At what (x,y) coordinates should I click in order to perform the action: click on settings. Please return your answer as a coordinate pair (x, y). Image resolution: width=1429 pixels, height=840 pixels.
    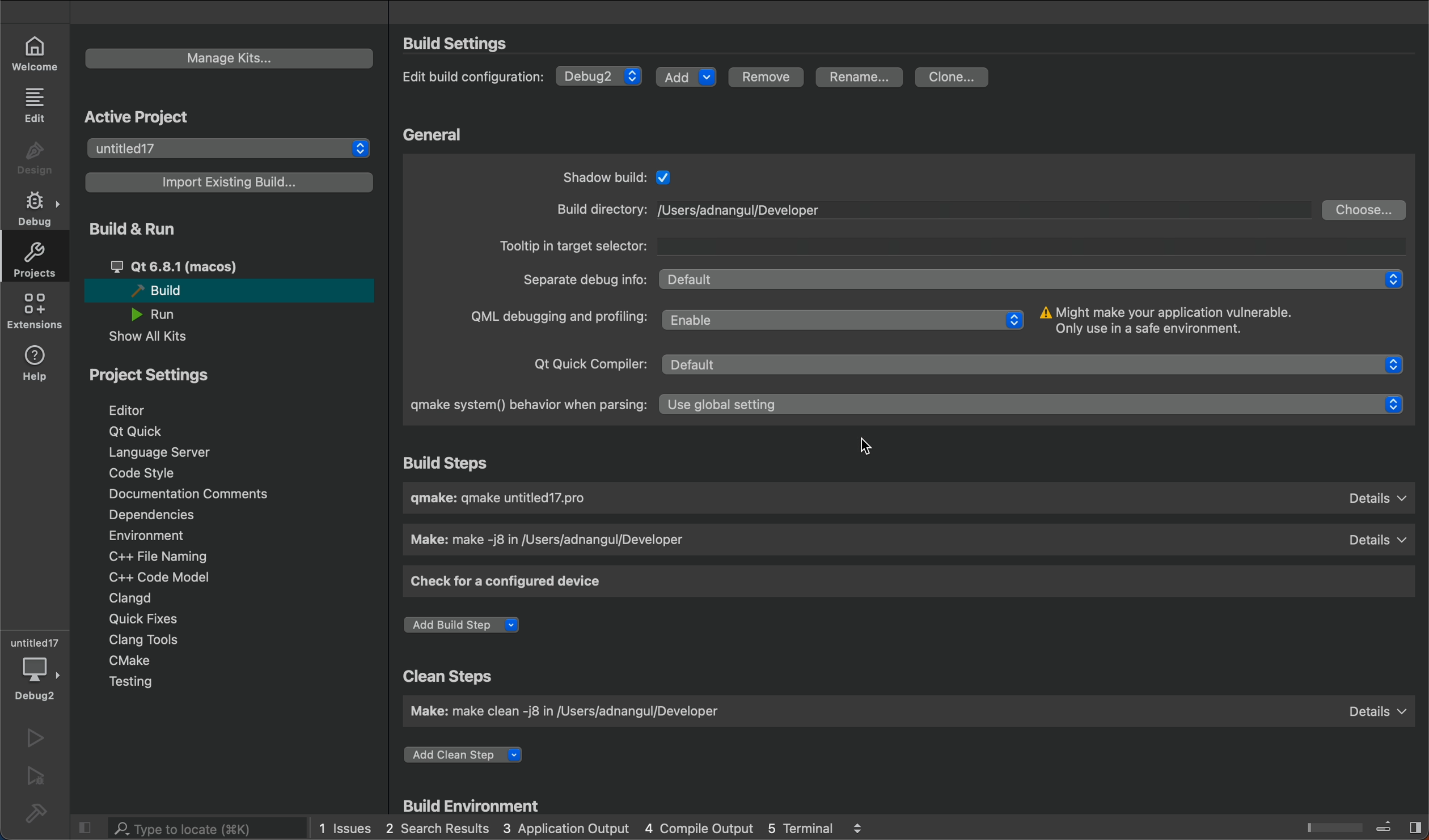
    Looking at the image, I should click on (461, 45).